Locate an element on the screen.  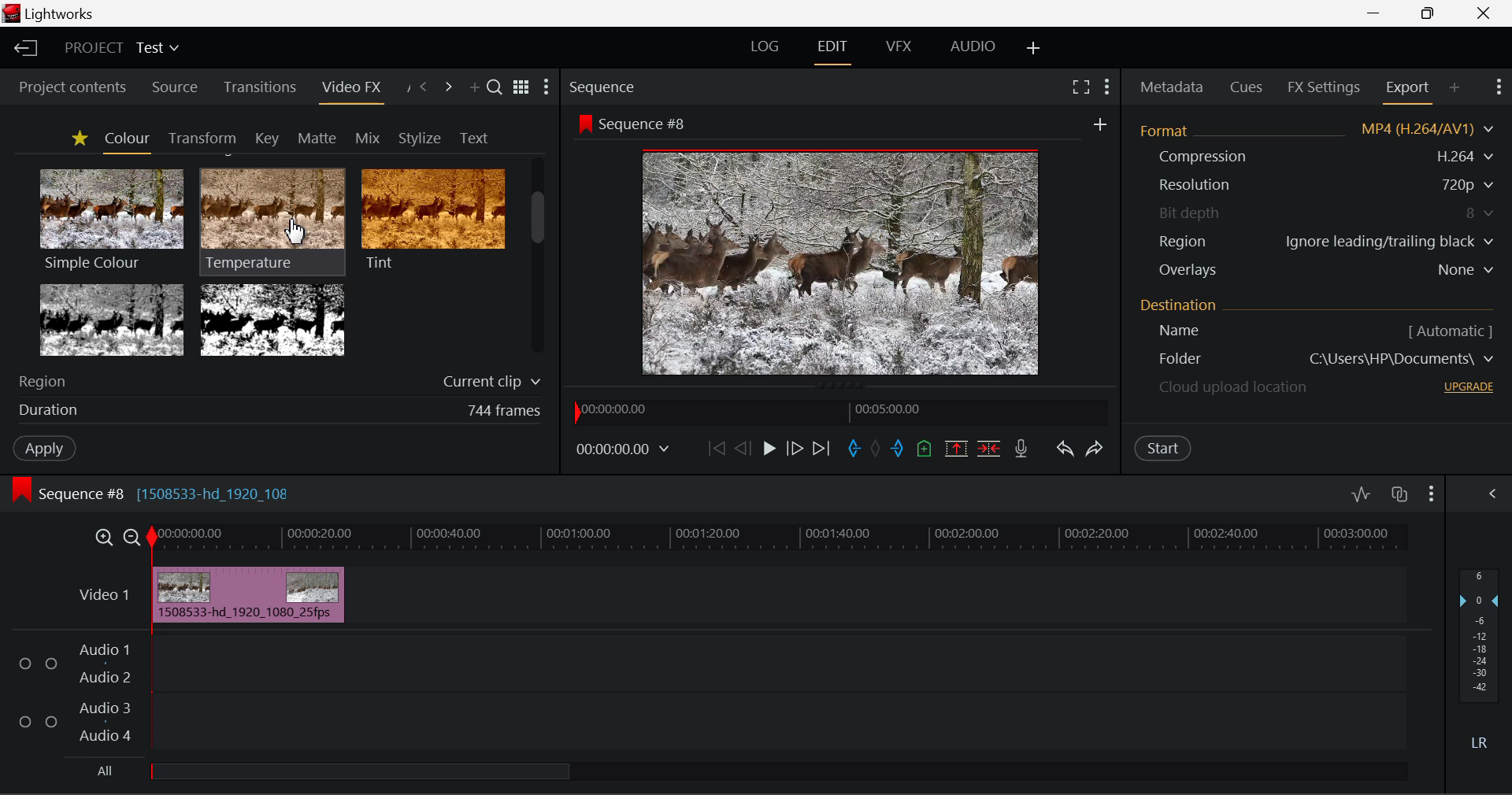
Start is located at coordinates (1164, 449).